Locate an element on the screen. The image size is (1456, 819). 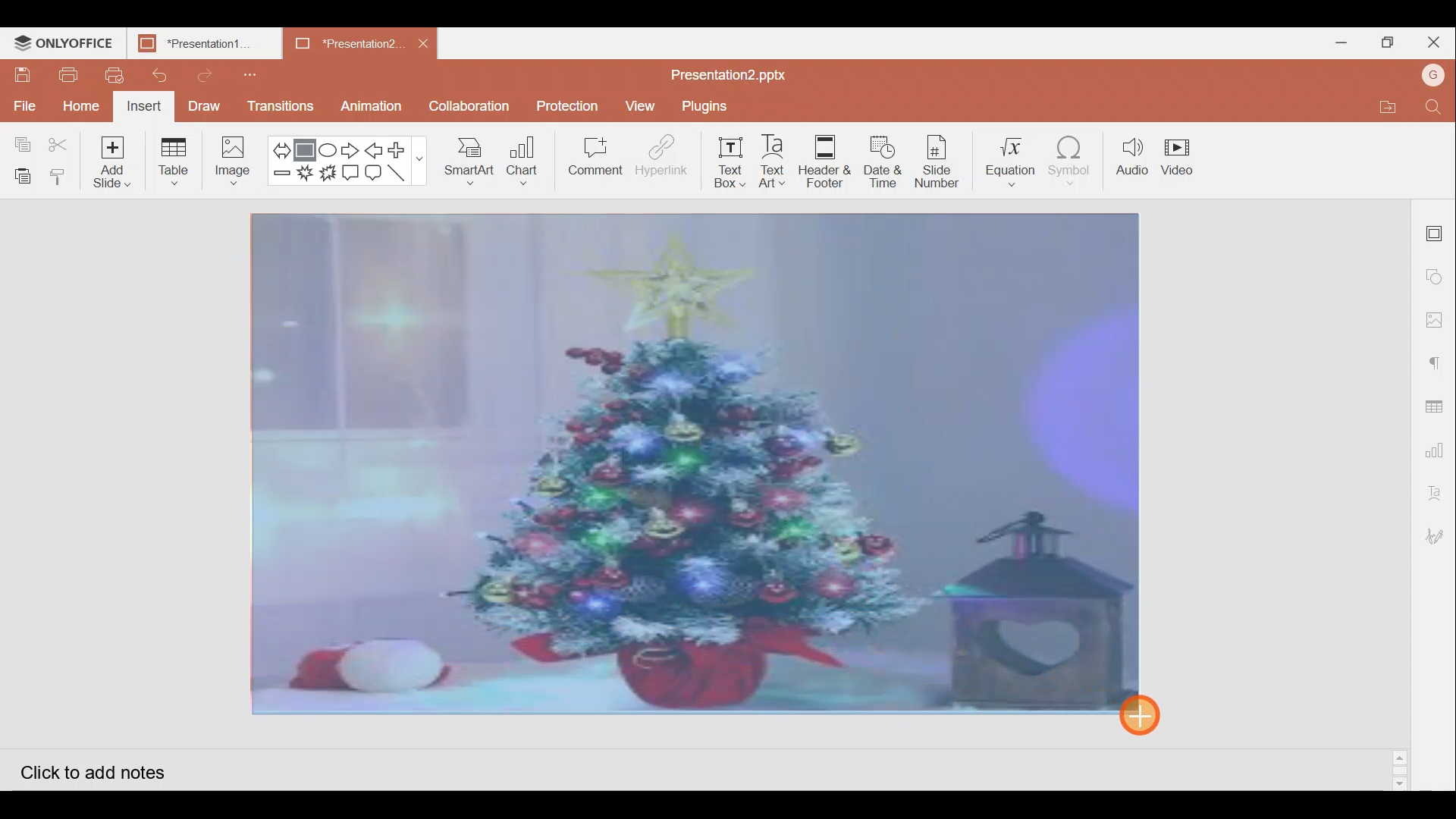
Table settings is located at coordinates (1438, 398).